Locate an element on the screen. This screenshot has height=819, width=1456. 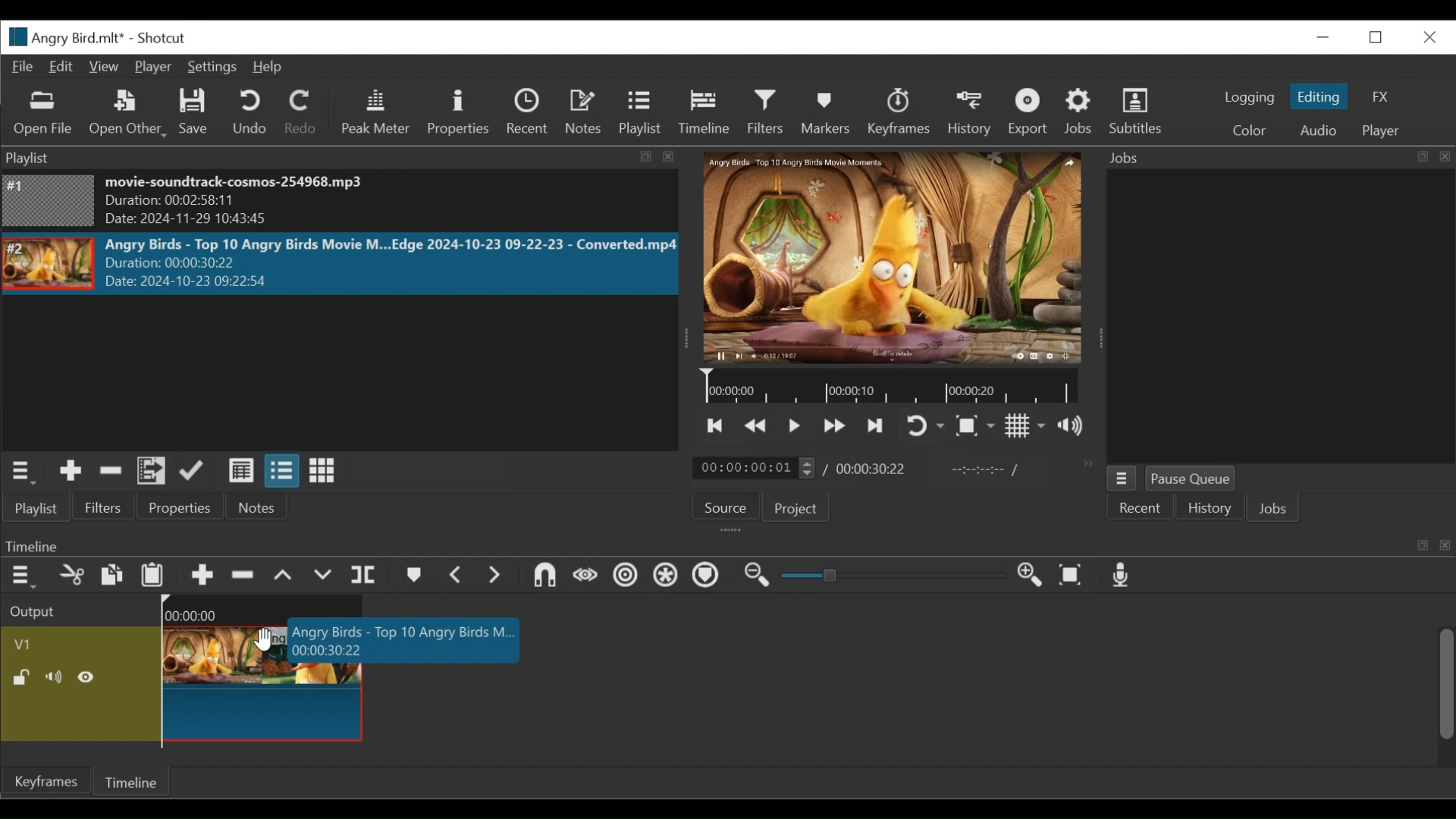
Redo is located at coordinates (303, 112).